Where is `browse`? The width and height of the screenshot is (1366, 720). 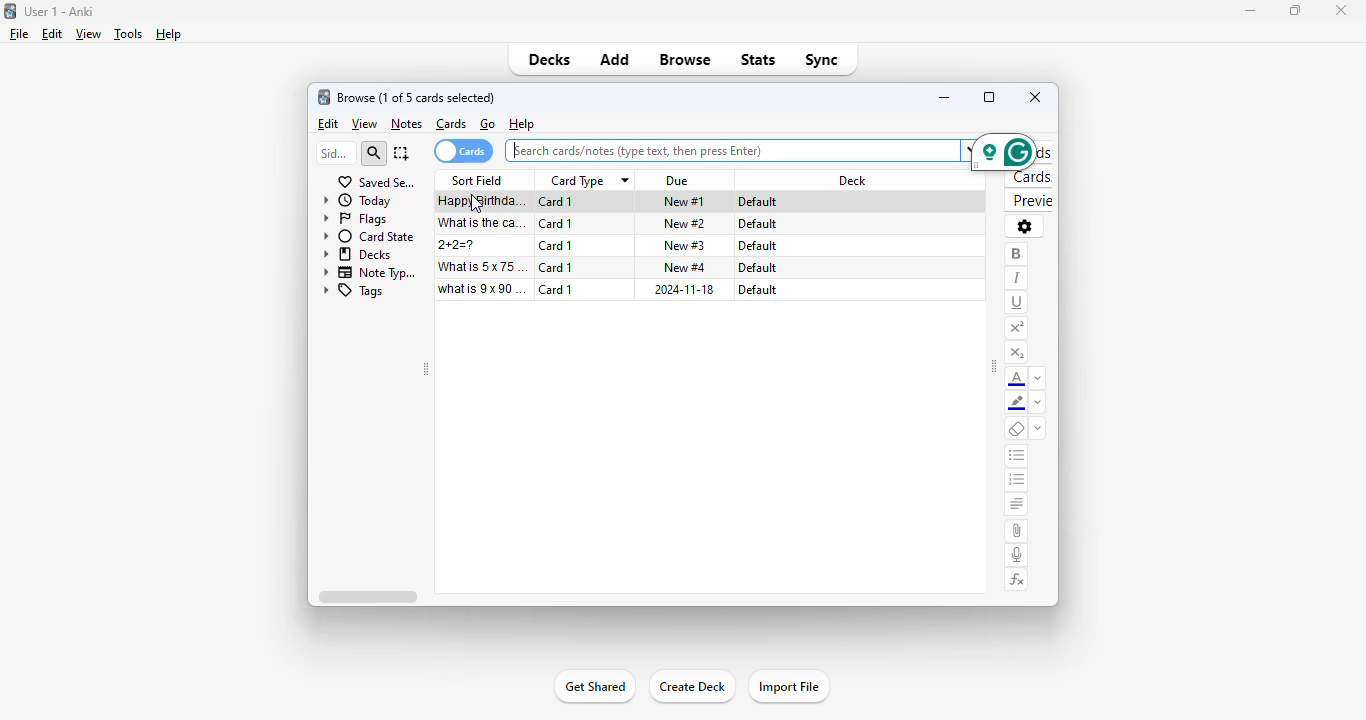
browse is located at coordinates (685, 59).